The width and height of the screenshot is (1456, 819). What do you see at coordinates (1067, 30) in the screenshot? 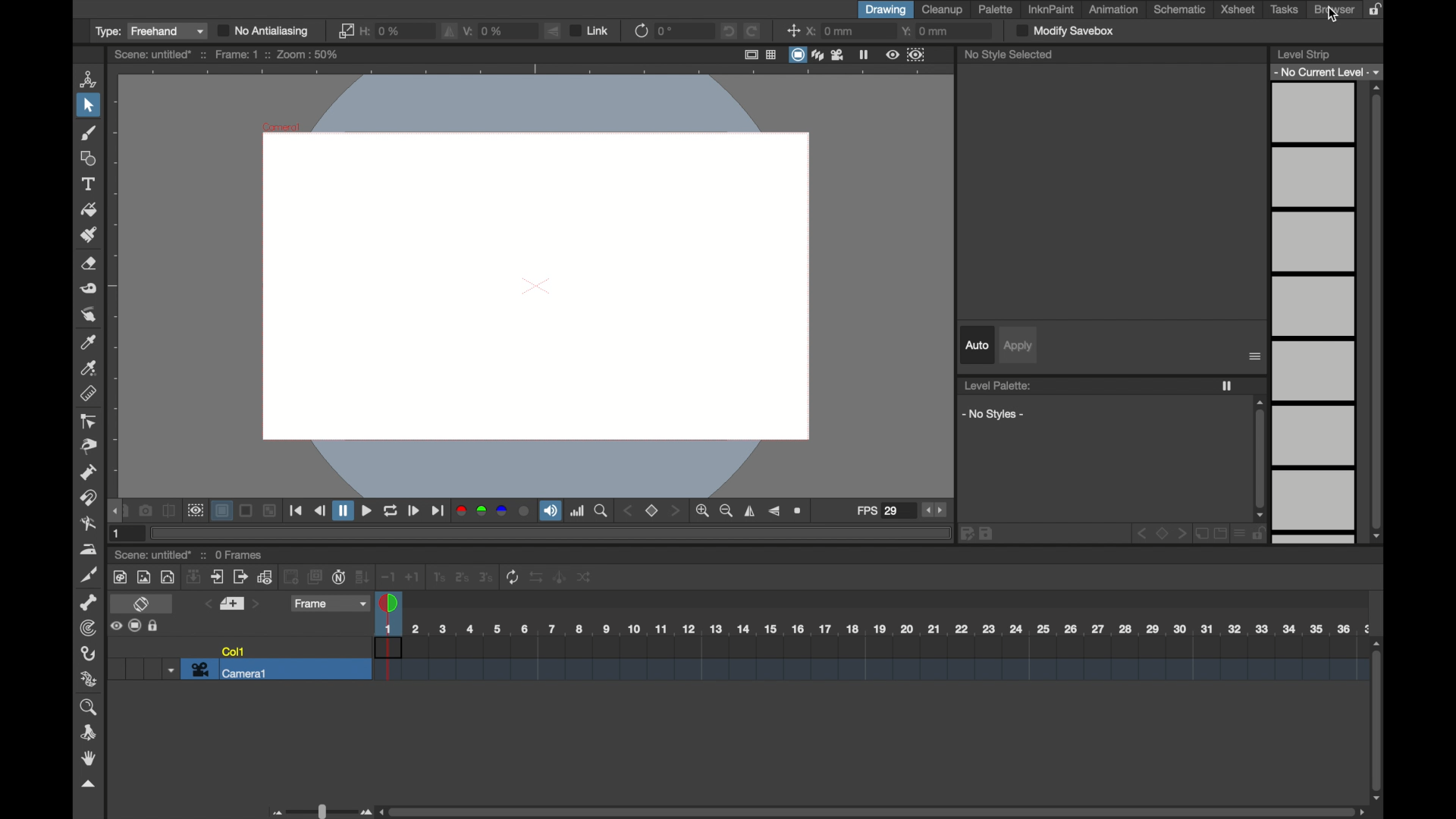
I see `modify sandbox` at bounding box center [1067, 30].